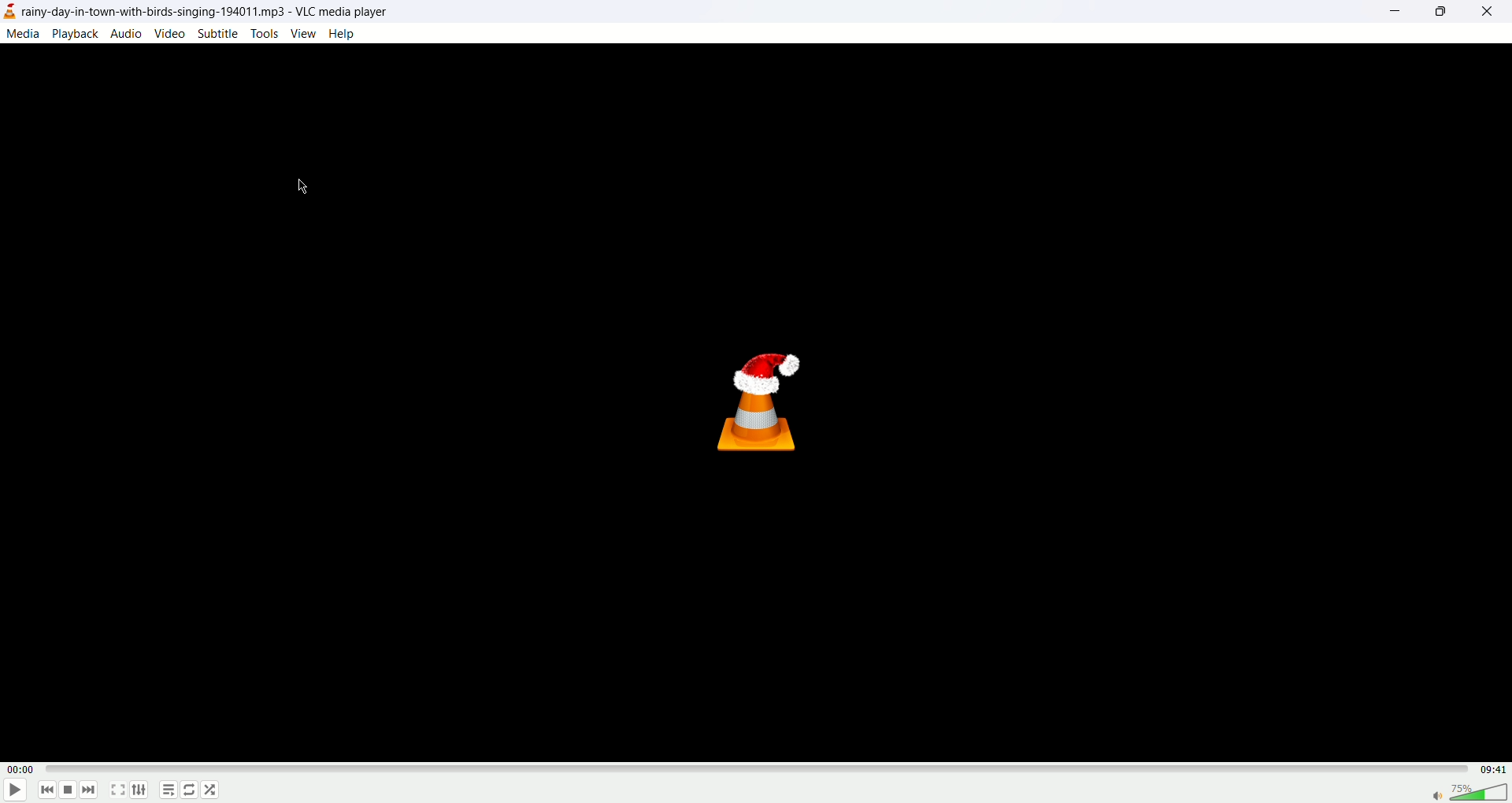  What do you see at coordinates (69, 790) in the screenshot?
I see `stop` at bounding box center [69, 790].